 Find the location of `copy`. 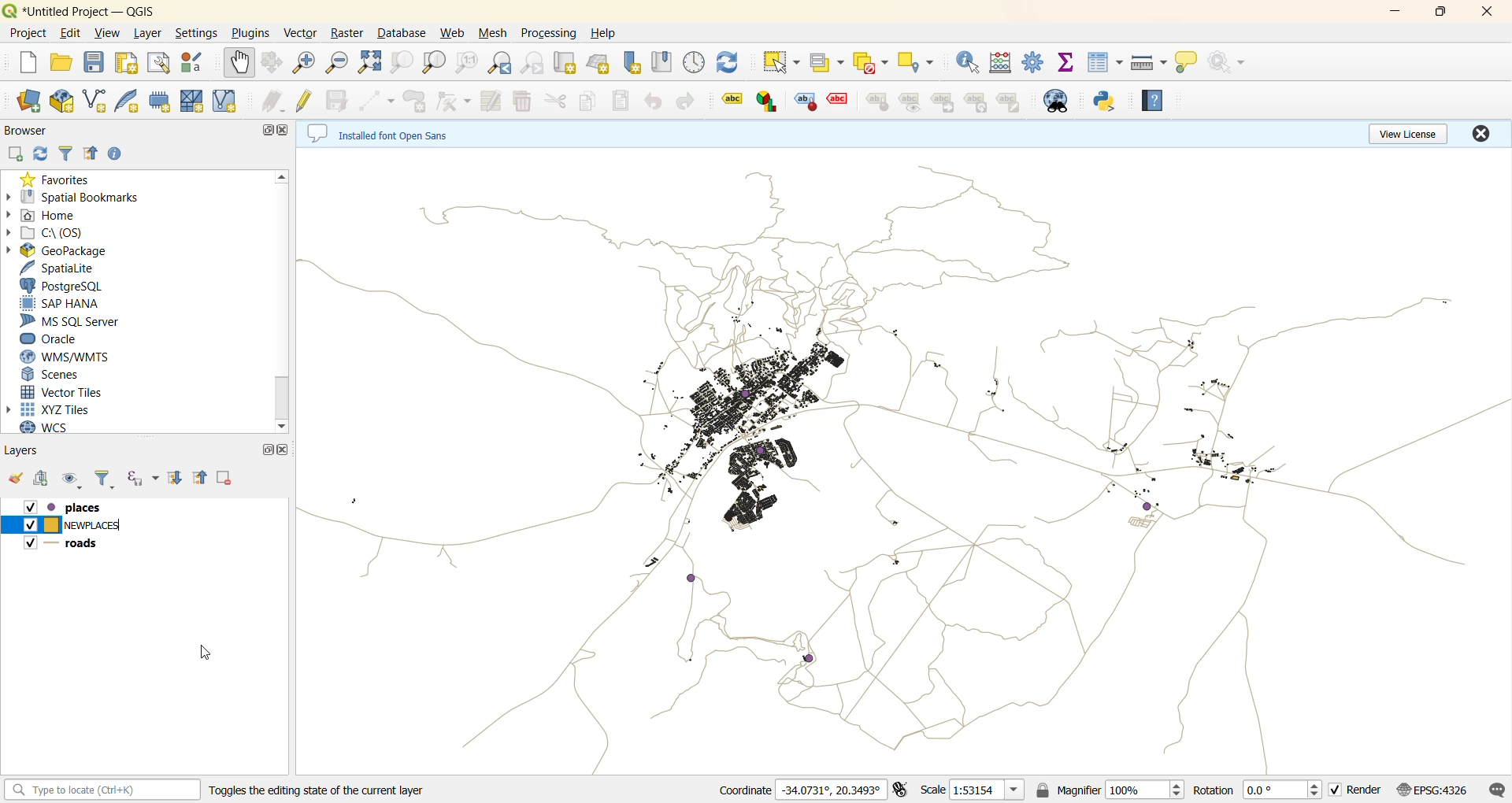

copy is located at coordinates (589, 100).